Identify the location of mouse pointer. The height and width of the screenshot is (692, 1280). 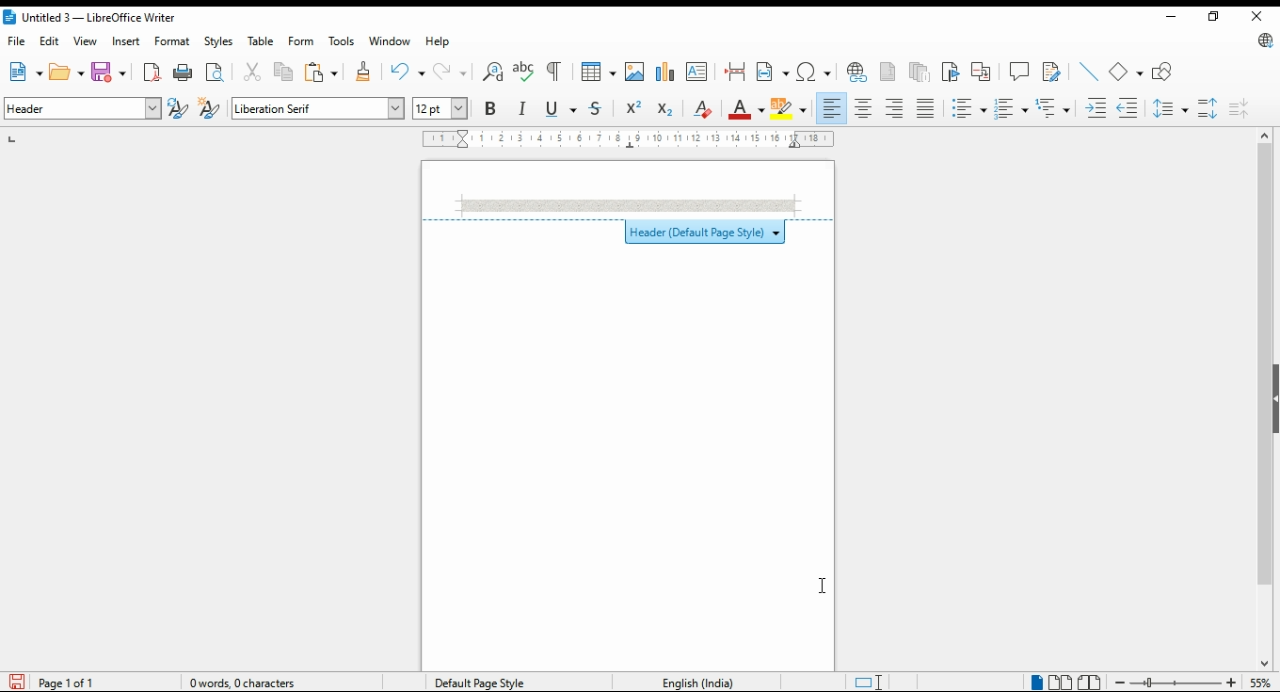
(824, 588).